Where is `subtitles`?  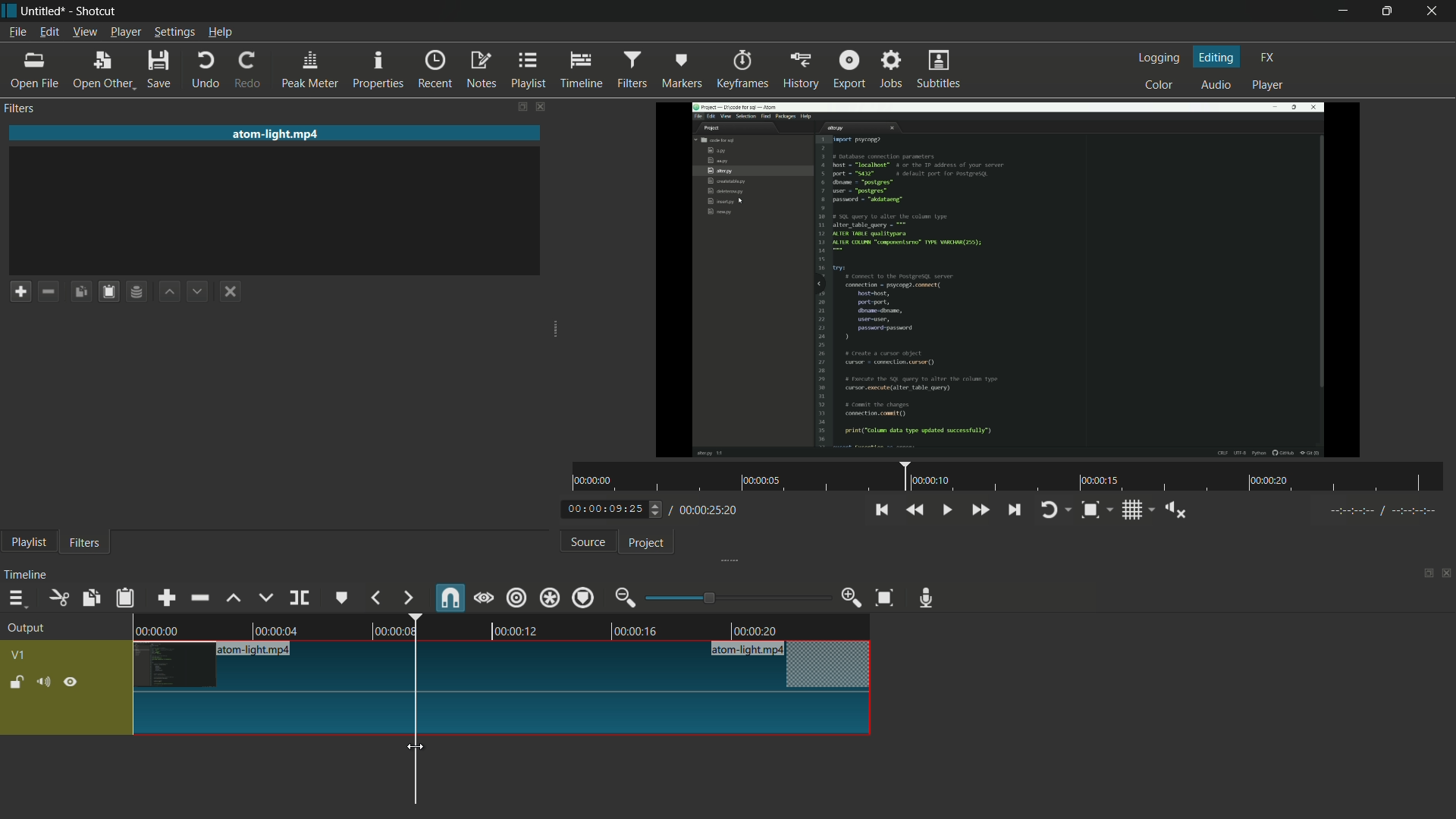 subtitles is located at coordinates (941, 71).